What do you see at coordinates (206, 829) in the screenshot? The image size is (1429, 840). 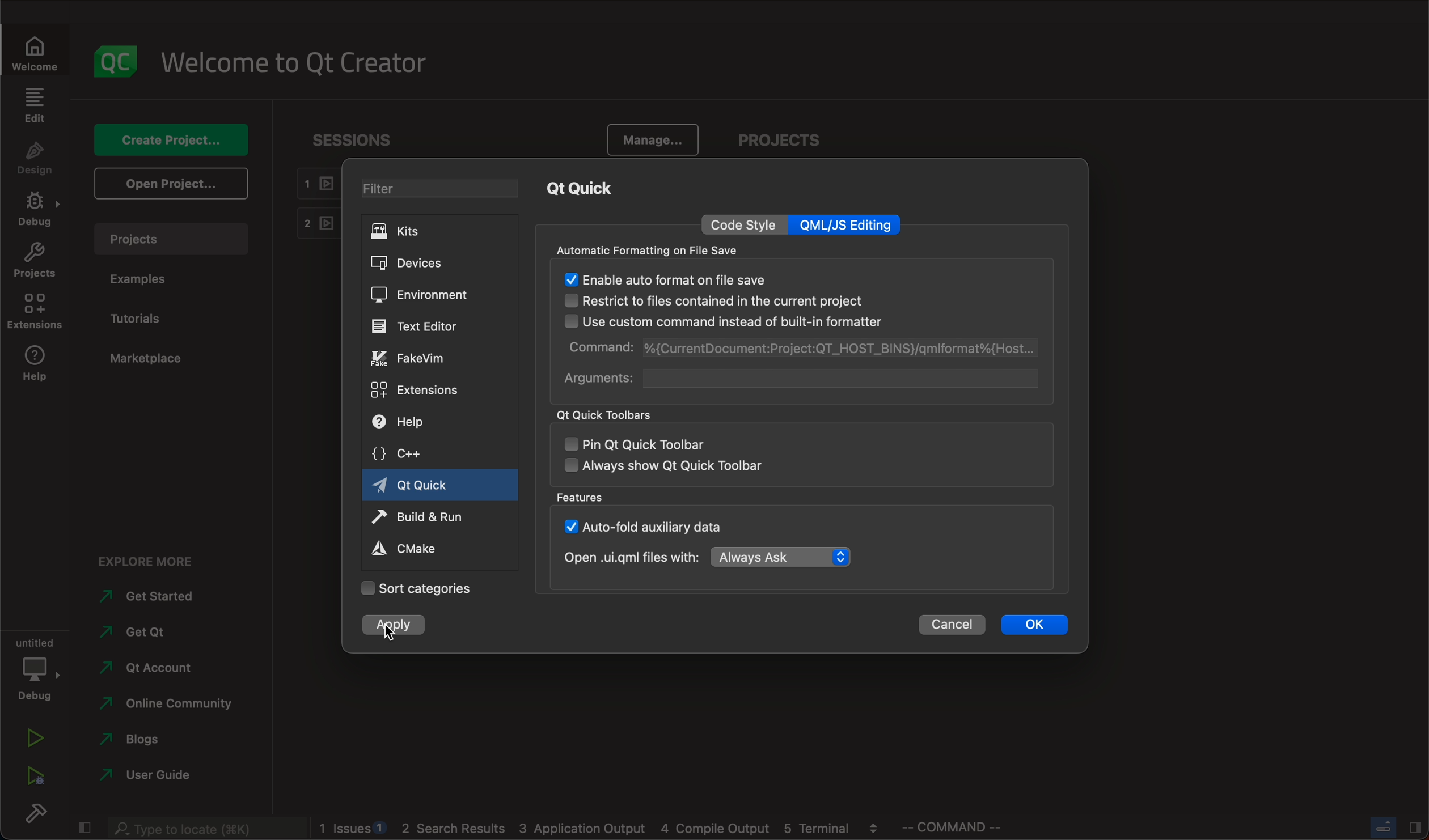 I see `search bar` at bounding box center [206, 829].